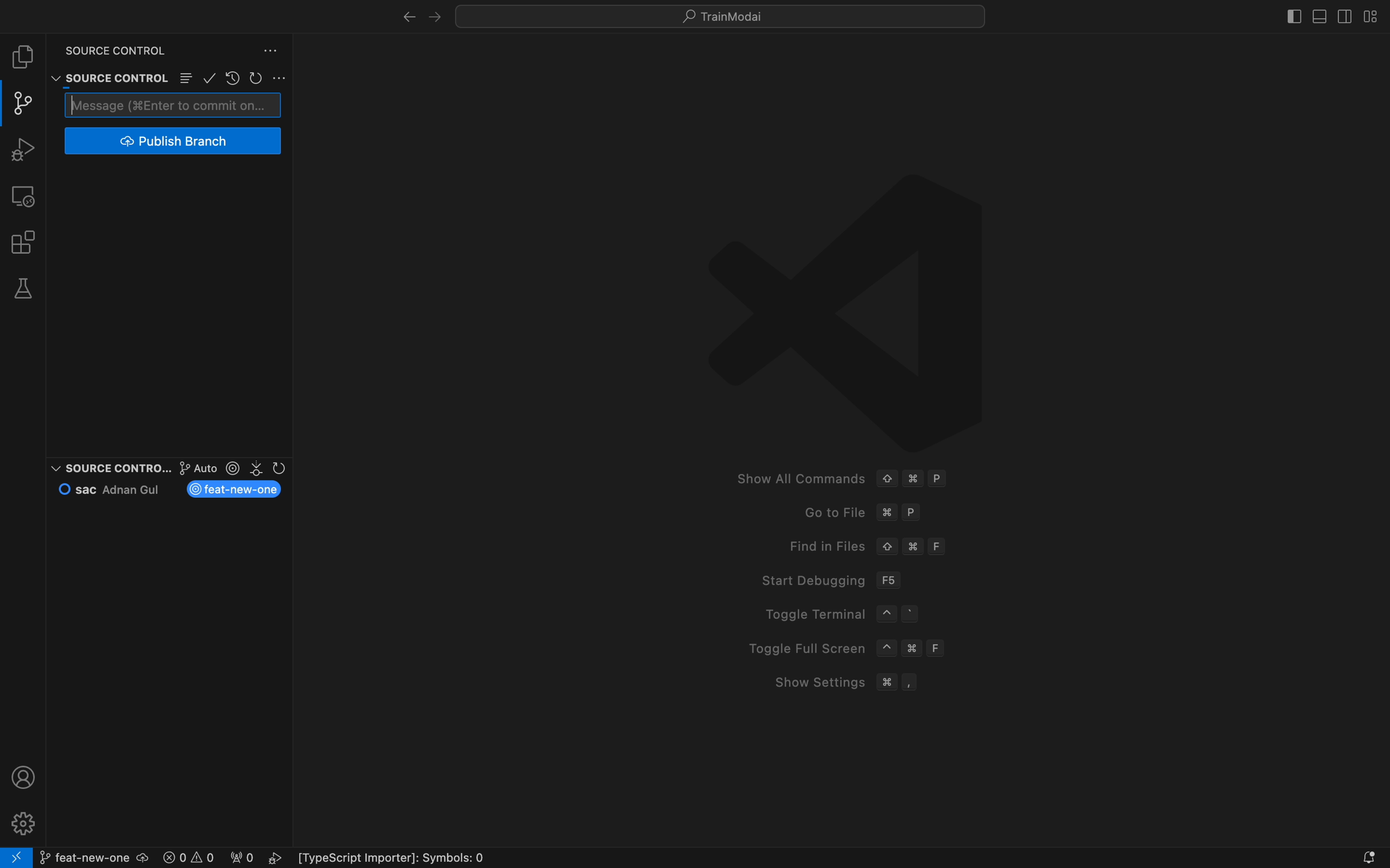  I want to click on version control section, so click(258, 468).